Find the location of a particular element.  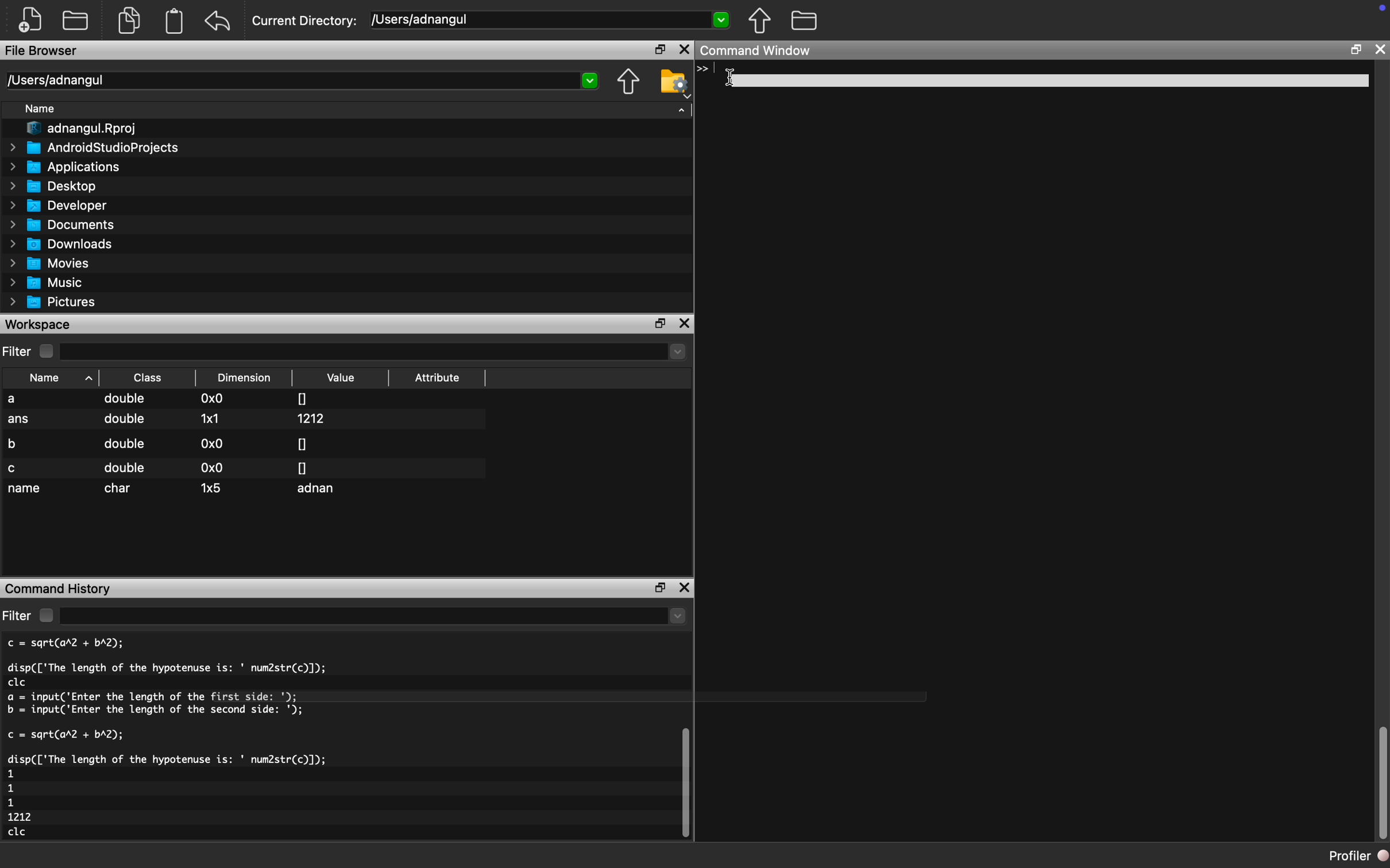

typing cursor is located at coordinates (706, 75).